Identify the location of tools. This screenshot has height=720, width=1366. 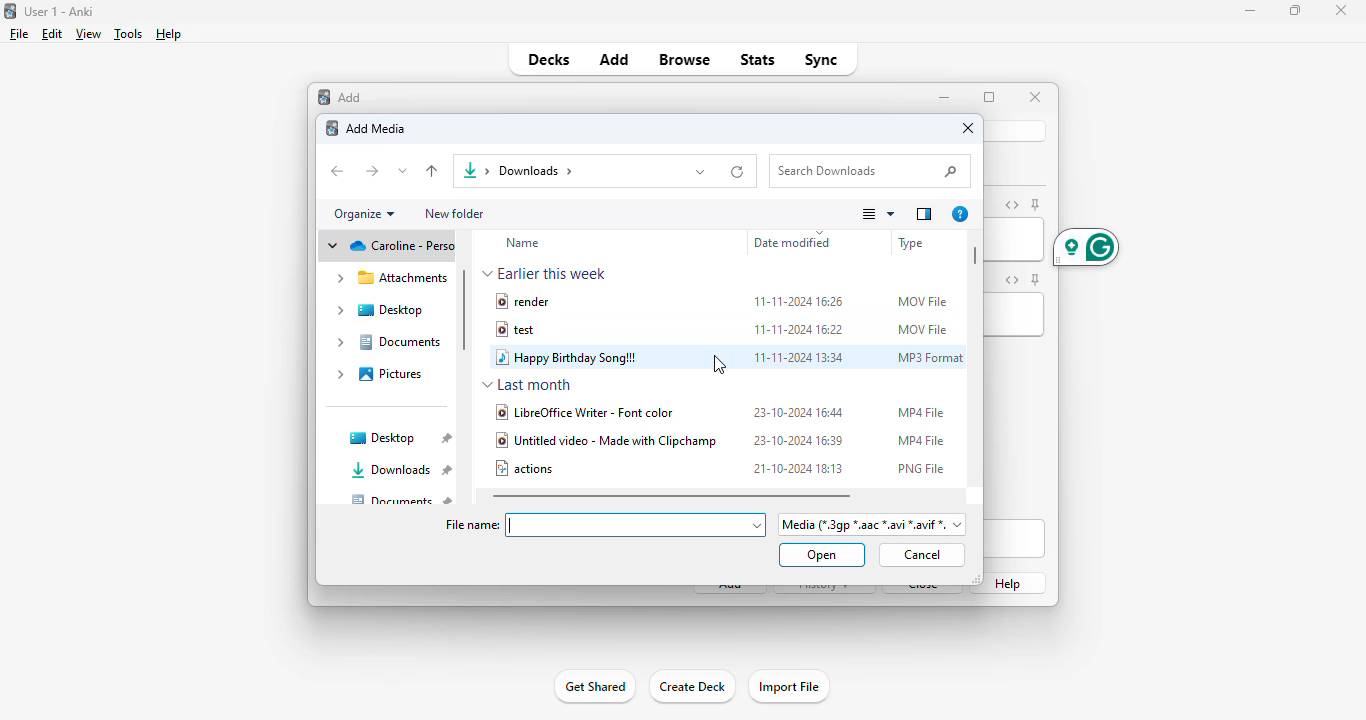
(129, 33).